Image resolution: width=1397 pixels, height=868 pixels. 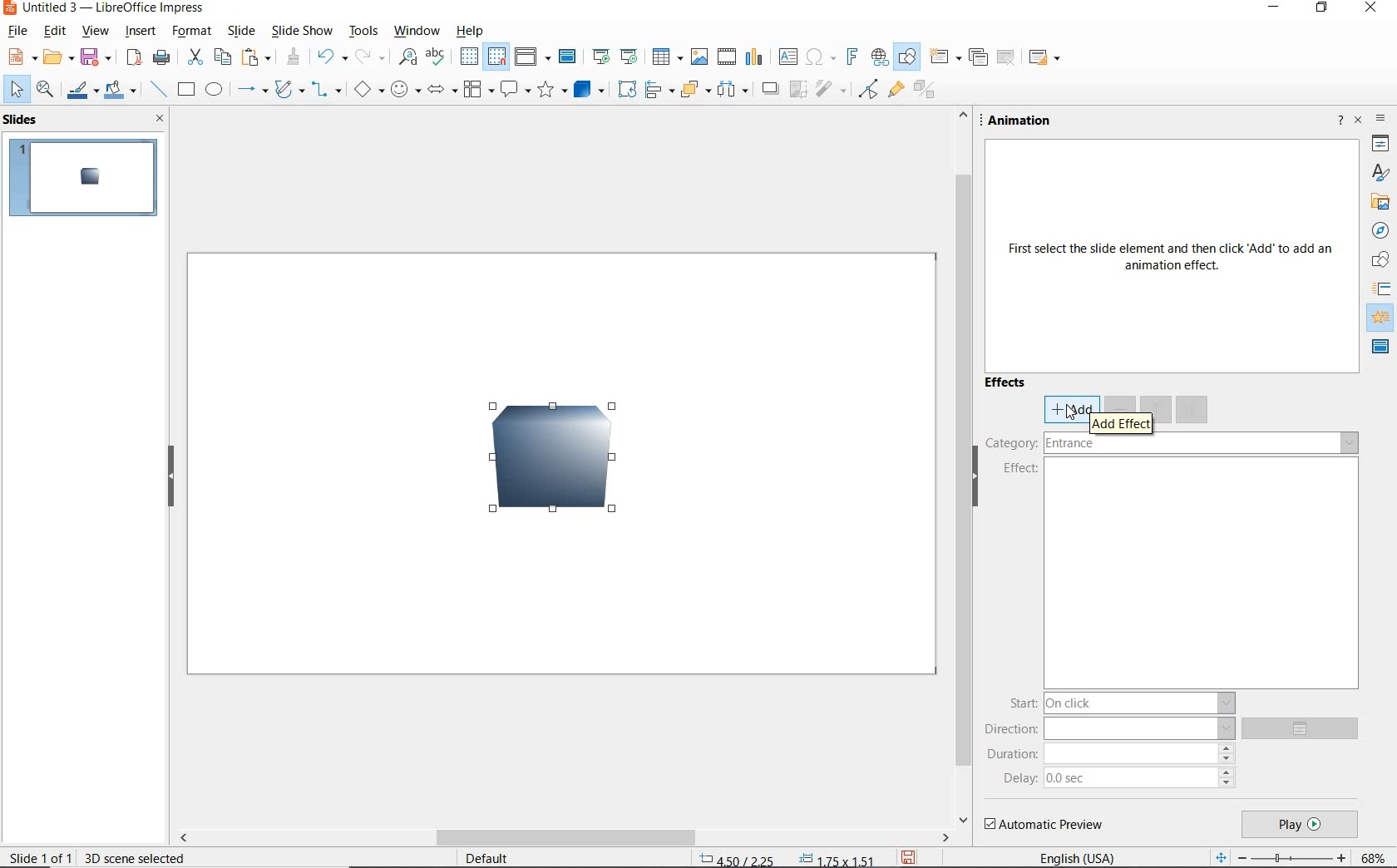 I want to click on undo, so click(x=330, y=57).